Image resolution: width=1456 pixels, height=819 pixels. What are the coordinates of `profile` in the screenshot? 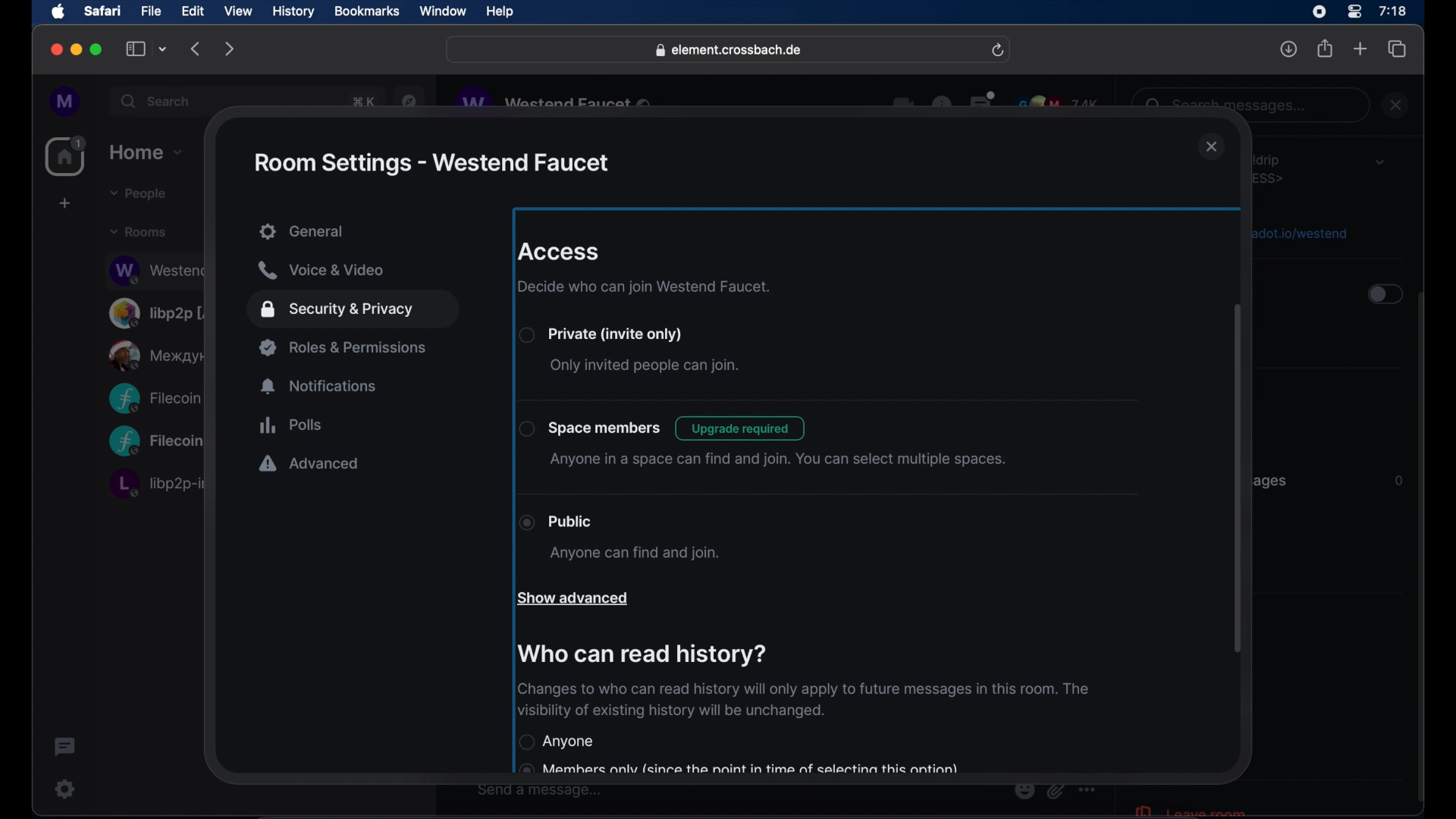 It's located at (66, 102).